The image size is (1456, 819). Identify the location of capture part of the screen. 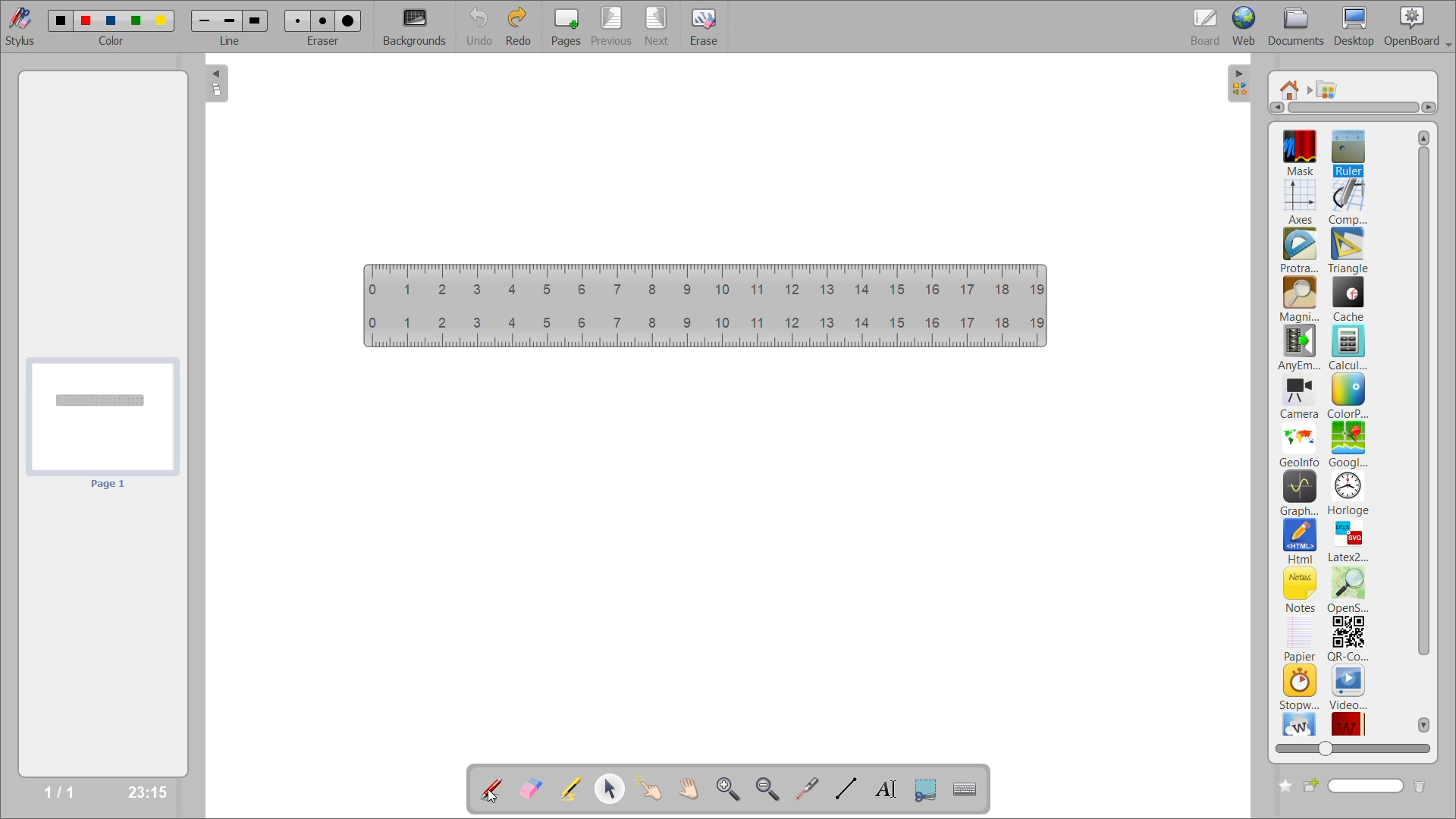
(929, 788).